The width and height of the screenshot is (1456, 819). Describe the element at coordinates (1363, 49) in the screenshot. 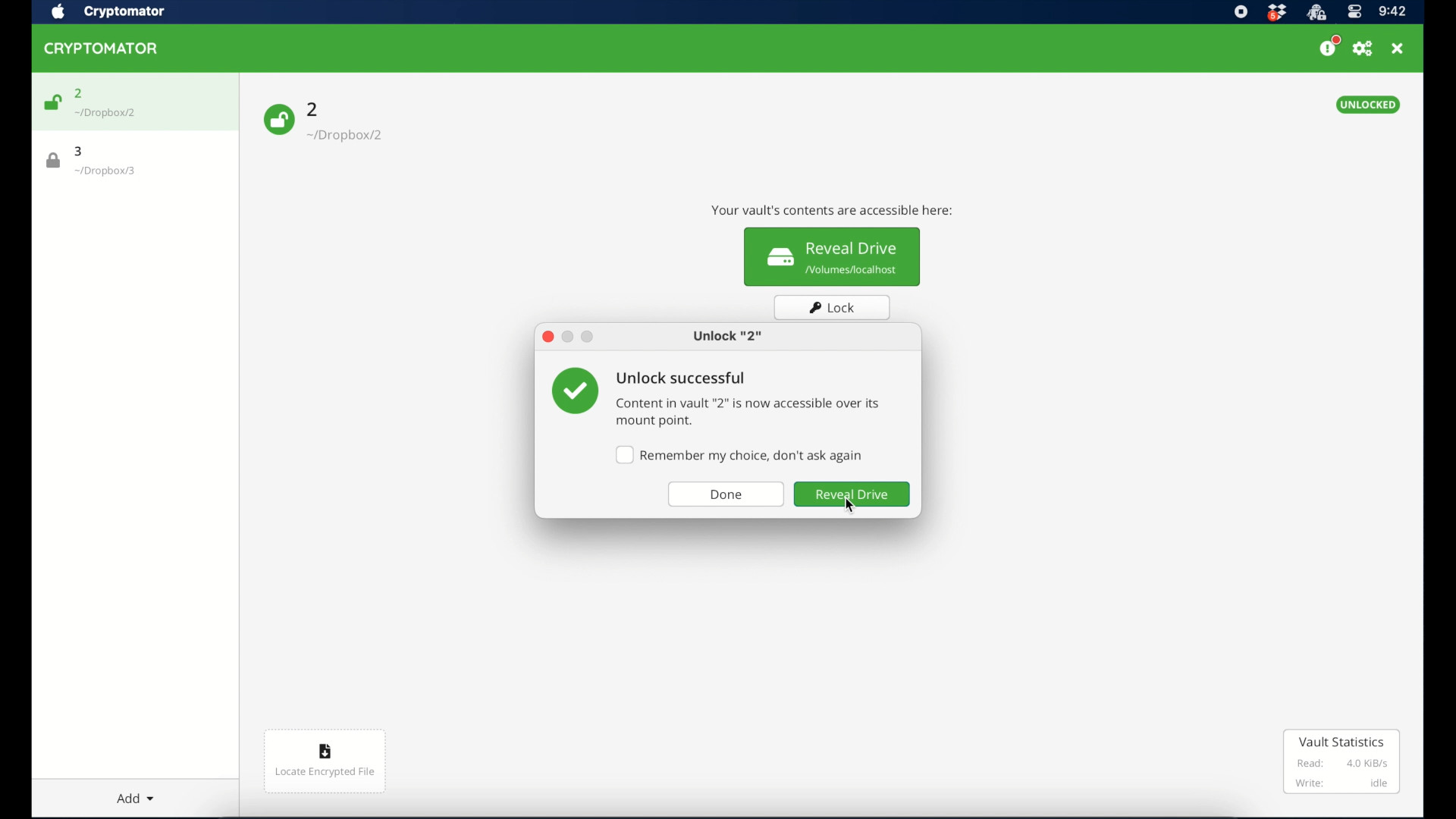

I see `preferences` at that location.